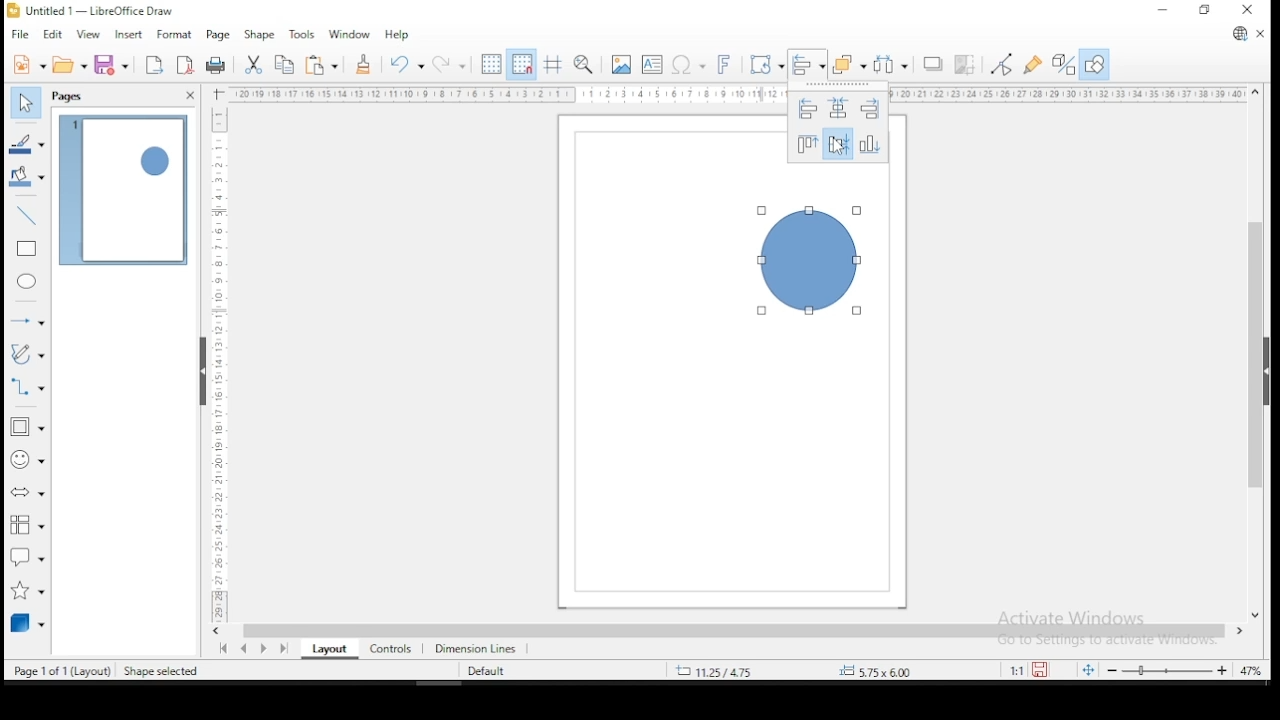  I want to click on help, so click(398, 34).